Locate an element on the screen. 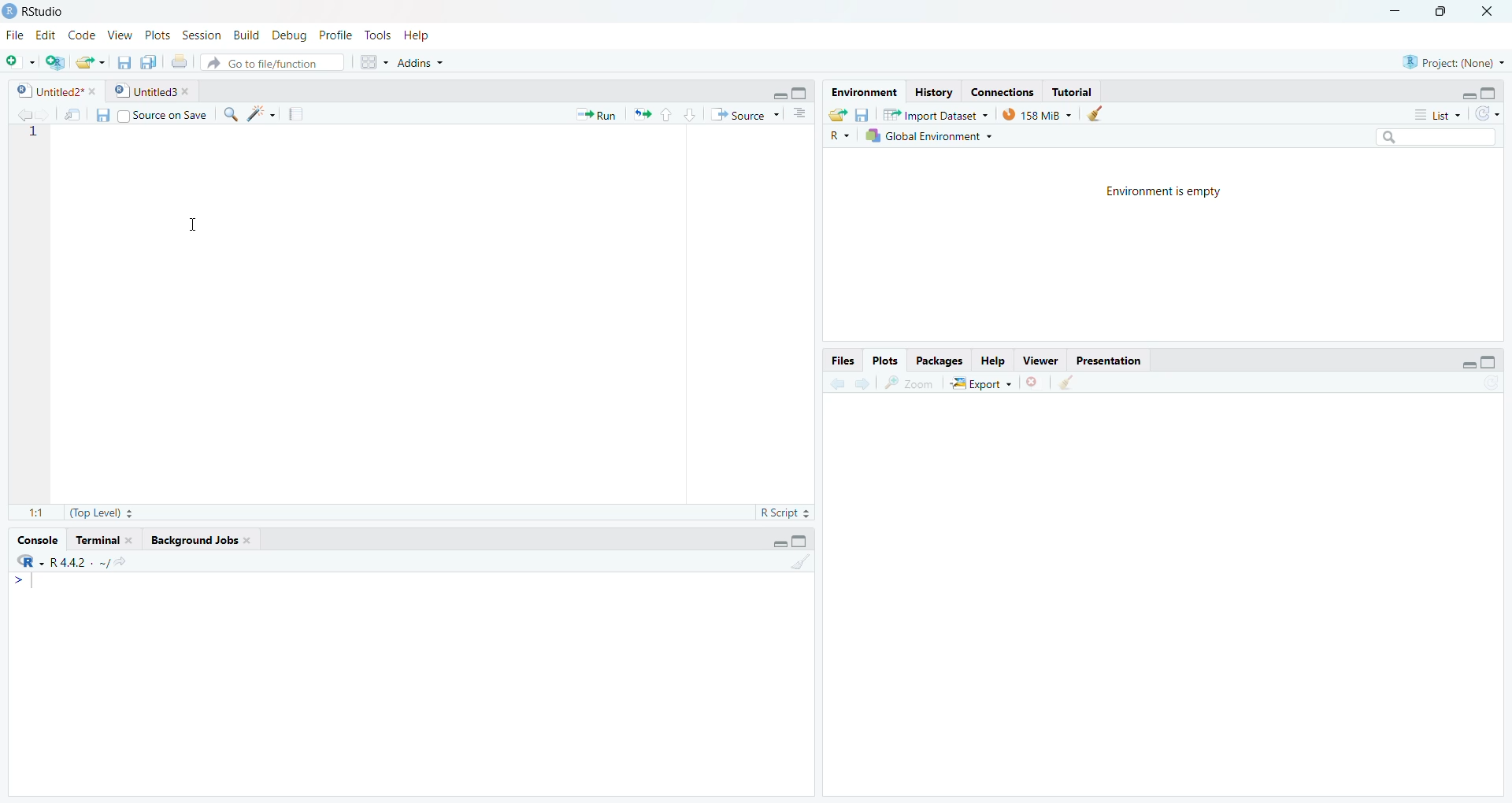 This screenshot has height=803, width=1512. rerun the previous code is located at coordinates (640, 115).